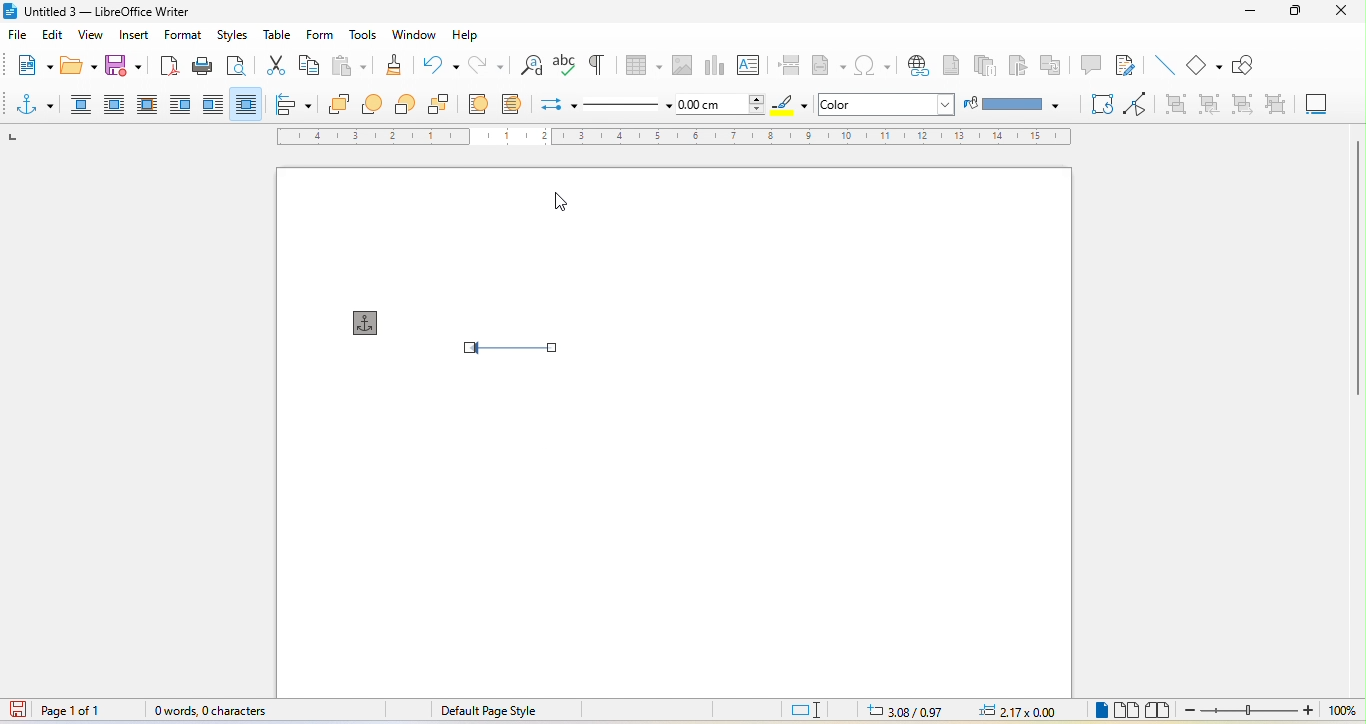 The width and height of the screenshot is (1366, 724). I want to click on default page style, so click(487, 710).